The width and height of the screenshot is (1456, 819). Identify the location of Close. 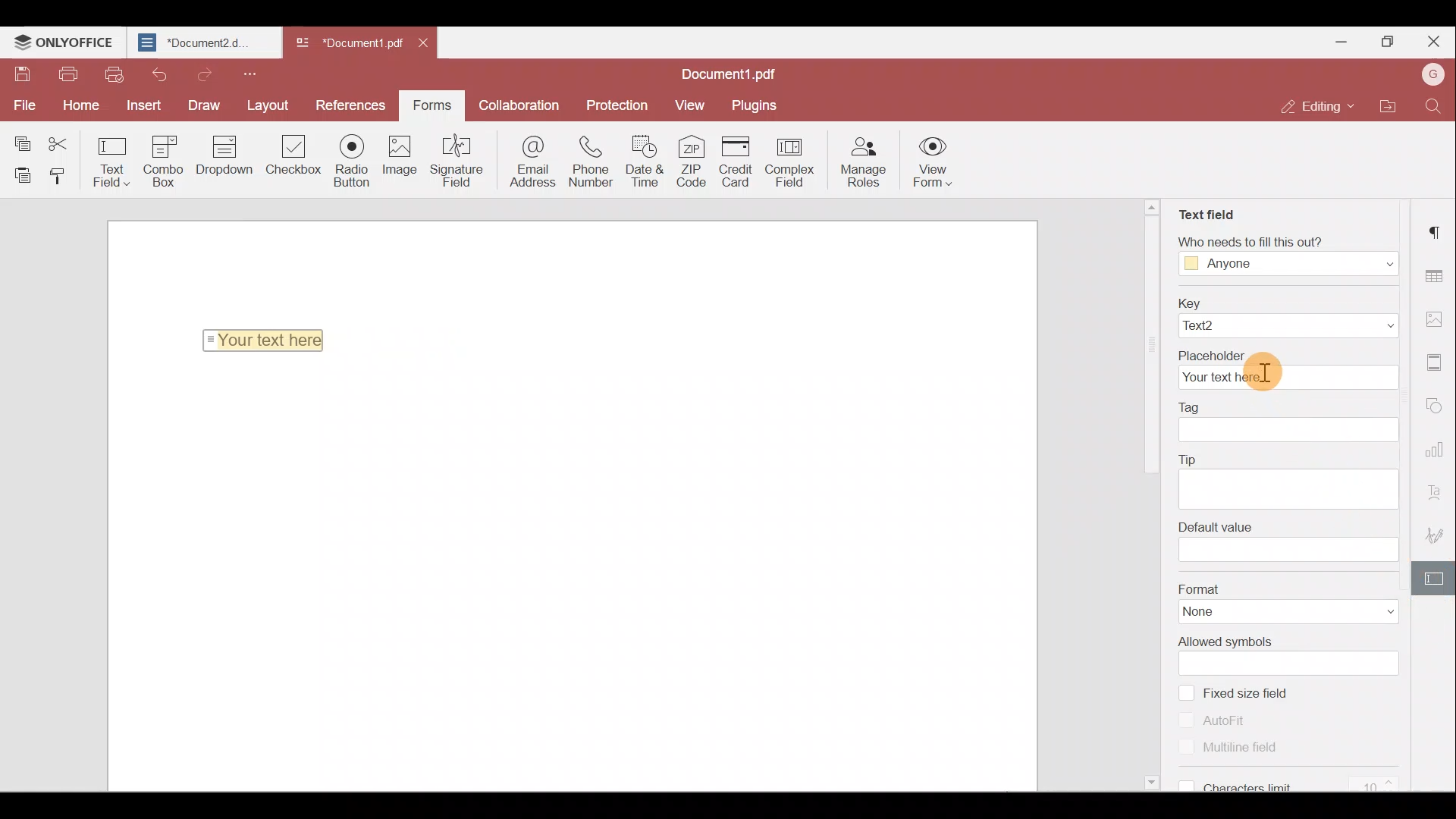
(1434, 39).